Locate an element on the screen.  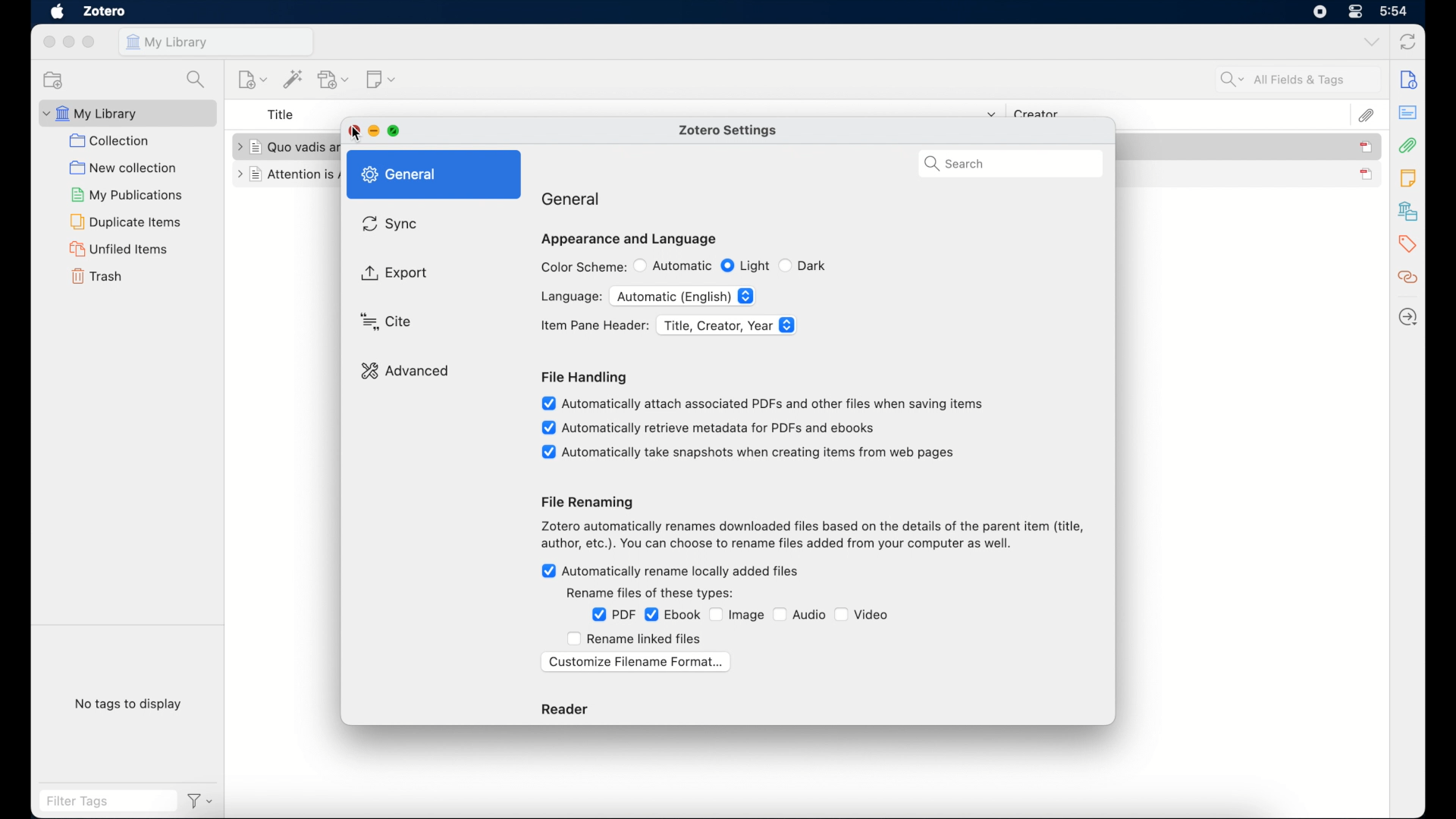
search fields and tags is located at coordinates (1298, 79).